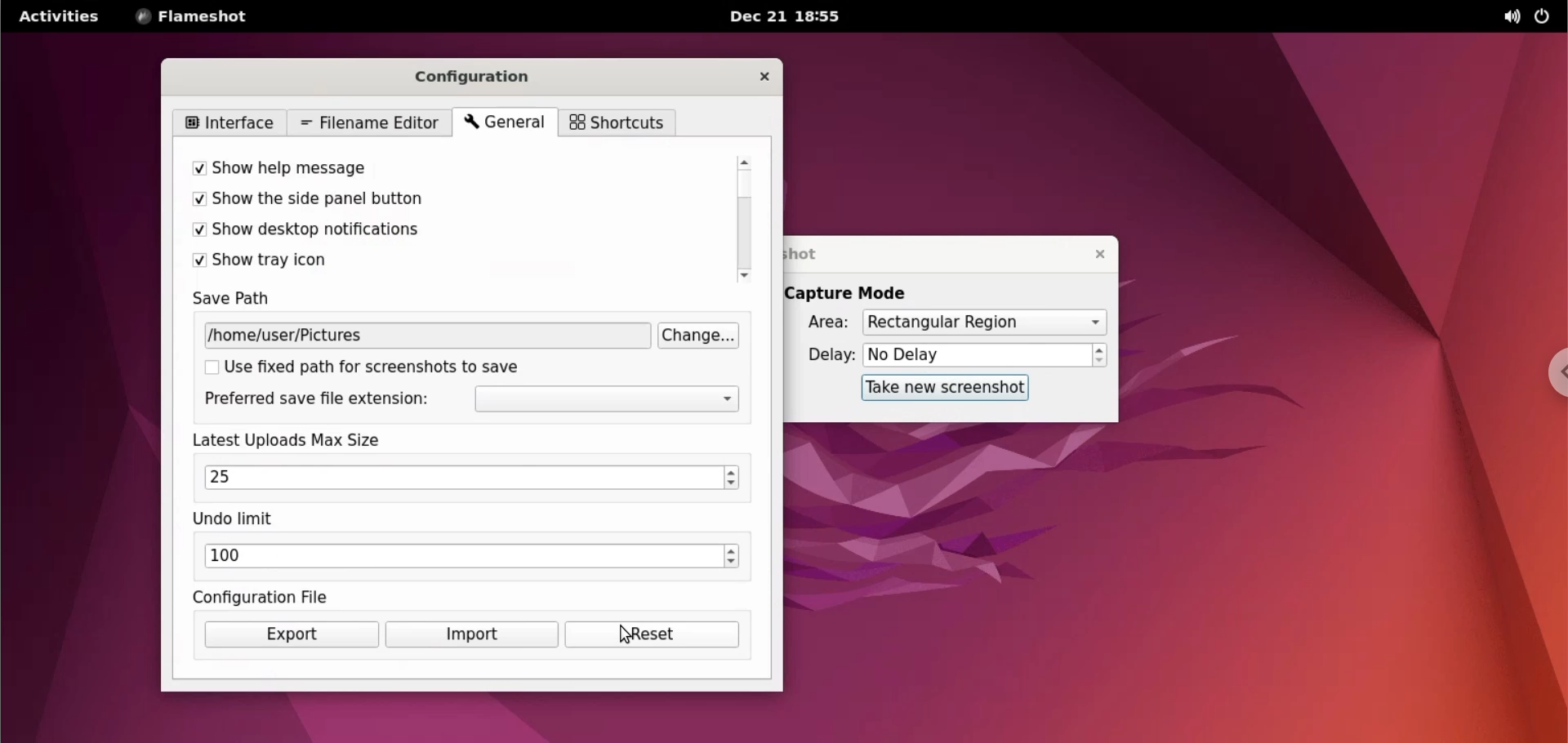 This screenshot has width=1568, height=743. What do you see at coordinates (625, 636) in the screenshot?
I see `cursor ` at bounding box center [625, 636].